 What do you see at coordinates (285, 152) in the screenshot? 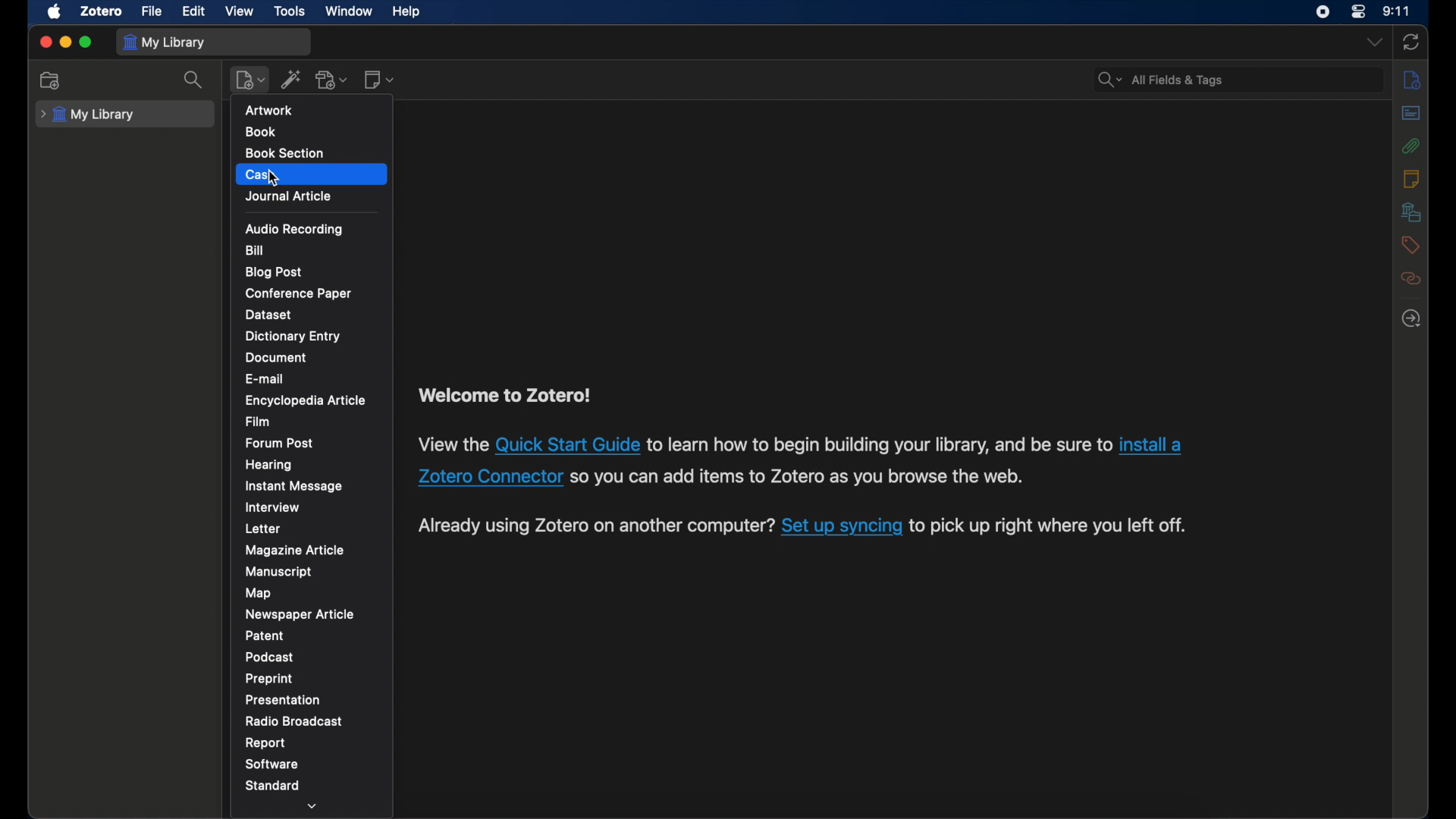
I see `book section` at bounding box center [285, 152].